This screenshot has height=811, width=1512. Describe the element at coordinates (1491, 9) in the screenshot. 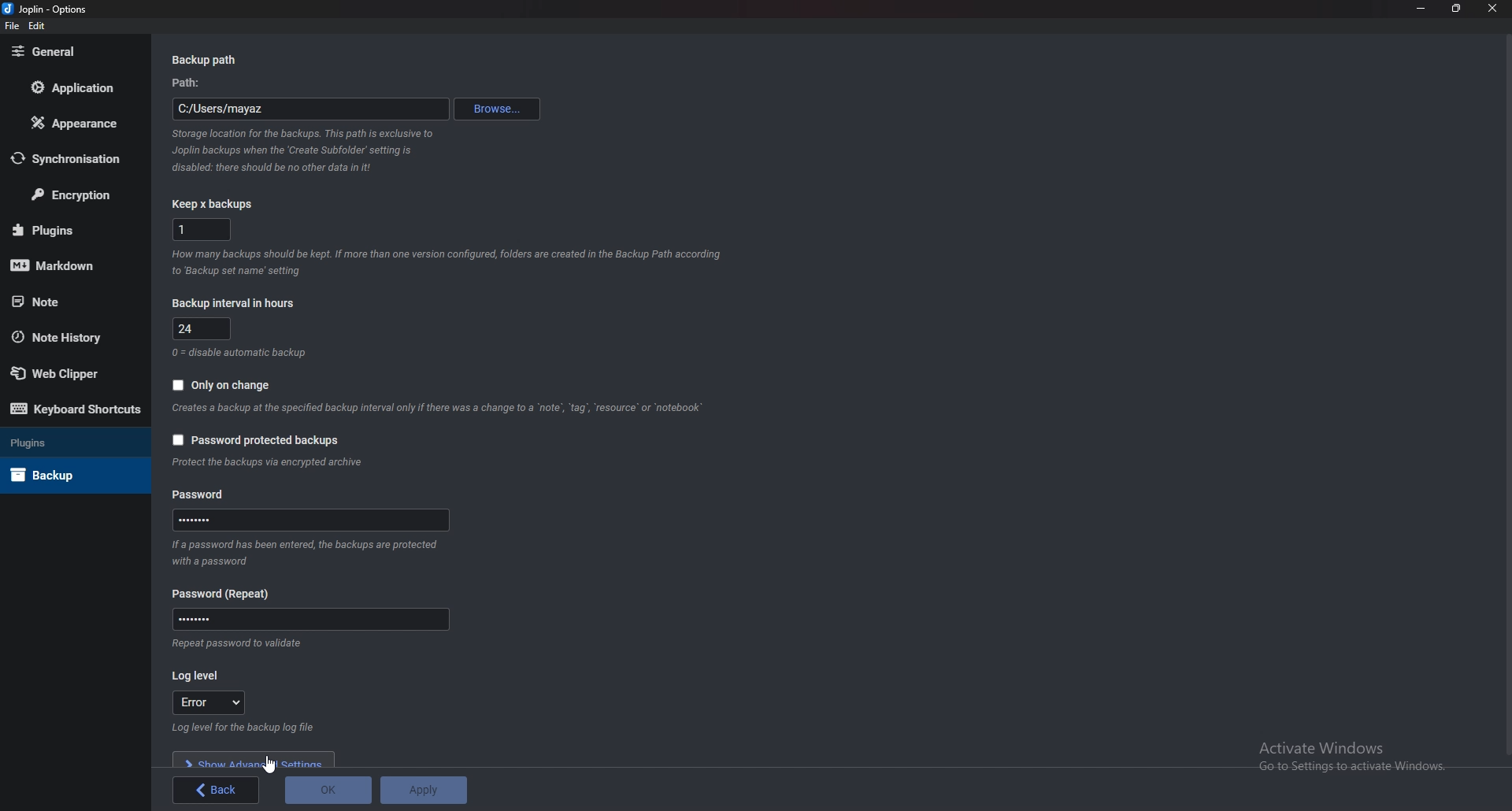

I see `close` at that location.